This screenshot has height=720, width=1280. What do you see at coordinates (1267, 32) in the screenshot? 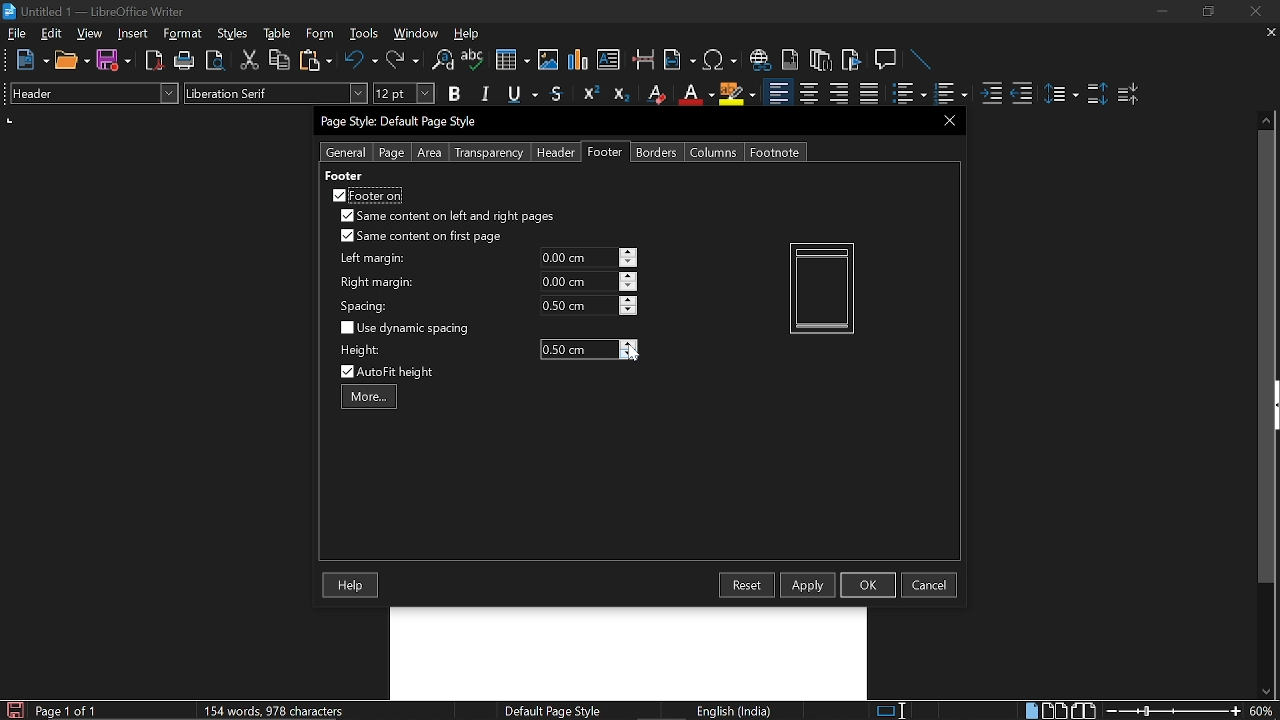
I see `Close current tab` at bounding box center [1267, 32].